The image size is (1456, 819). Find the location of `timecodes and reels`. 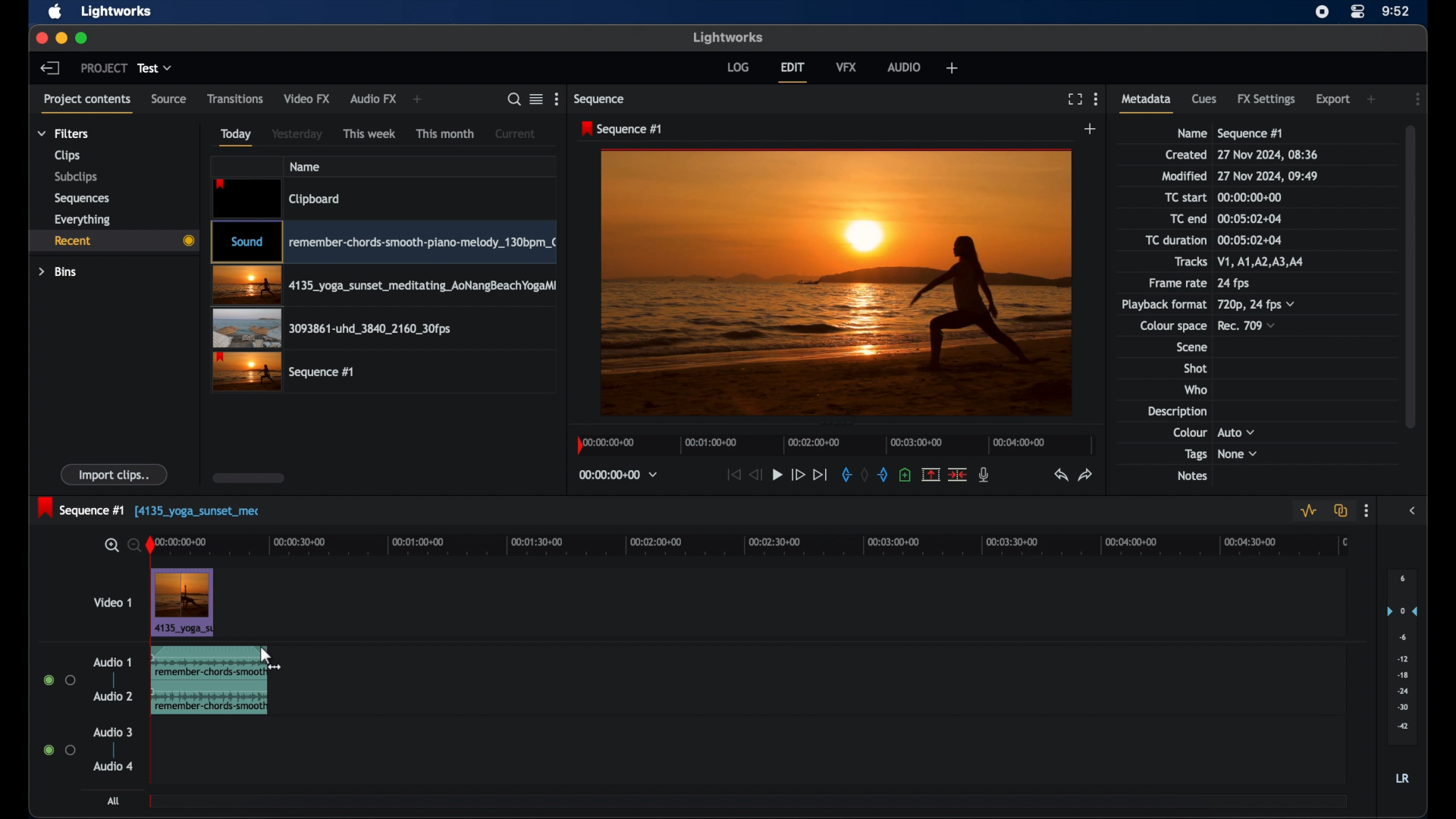

timecodes and reels is located at coordinates (619, 475).